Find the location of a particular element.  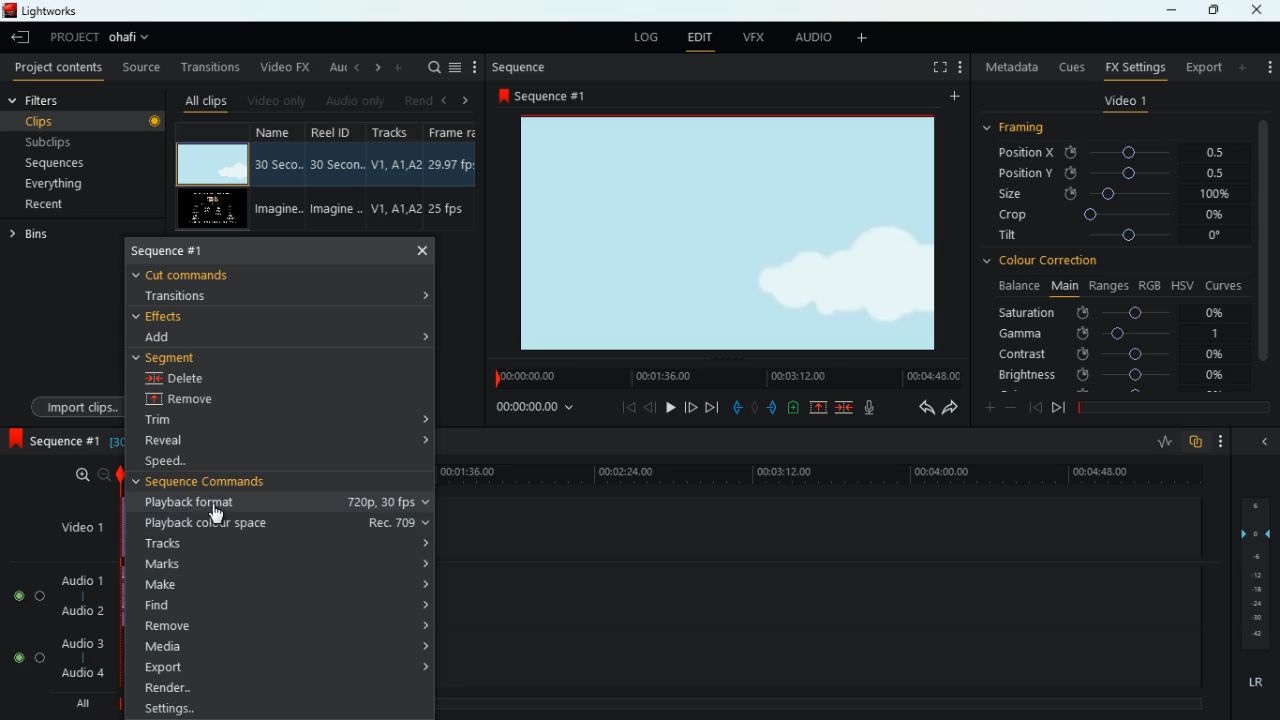

rate is located at coordinates (1161, 442).